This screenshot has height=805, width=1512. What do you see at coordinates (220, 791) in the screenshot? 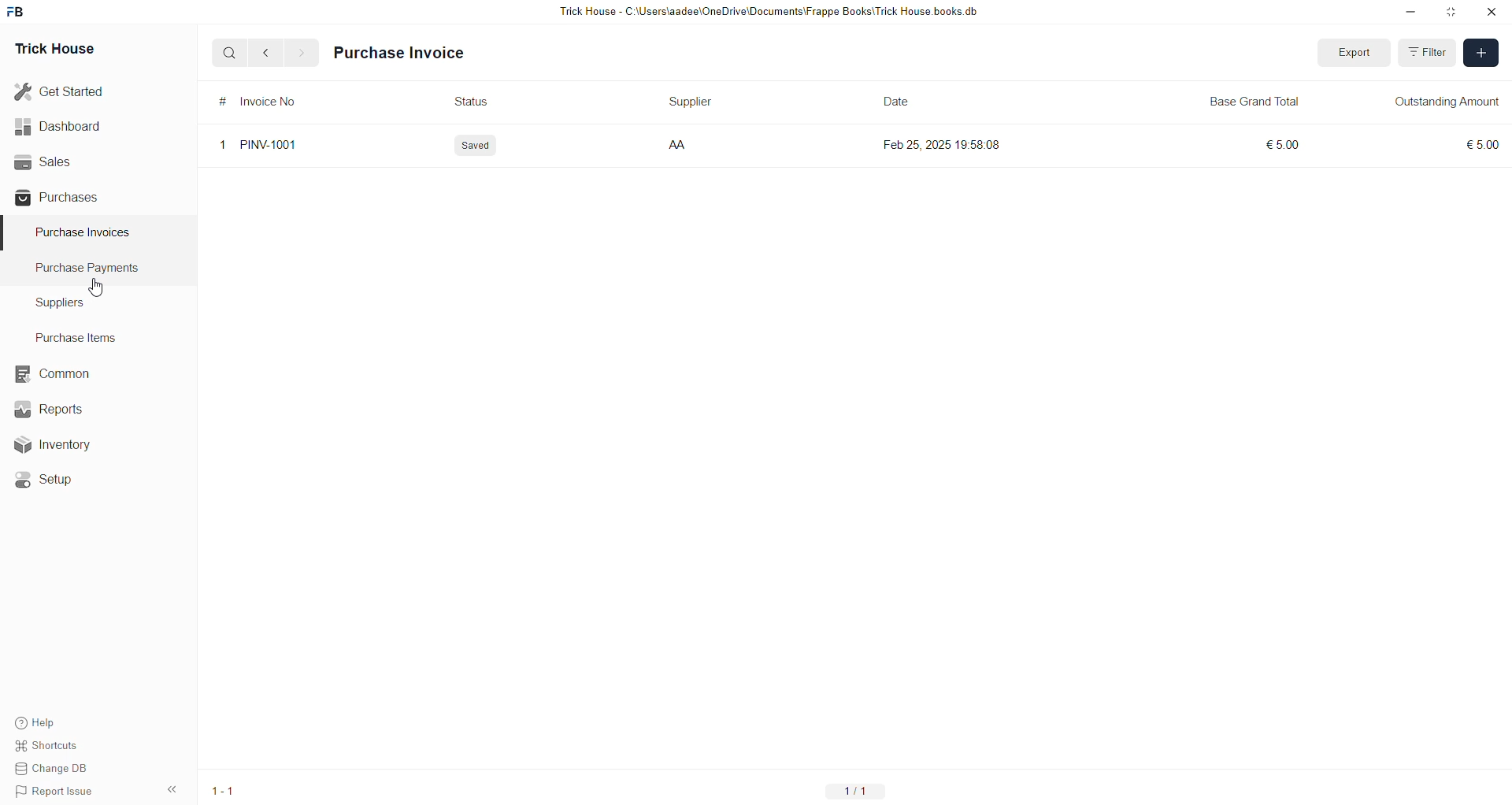
I see `1-1` at bounding box center [220, 791].